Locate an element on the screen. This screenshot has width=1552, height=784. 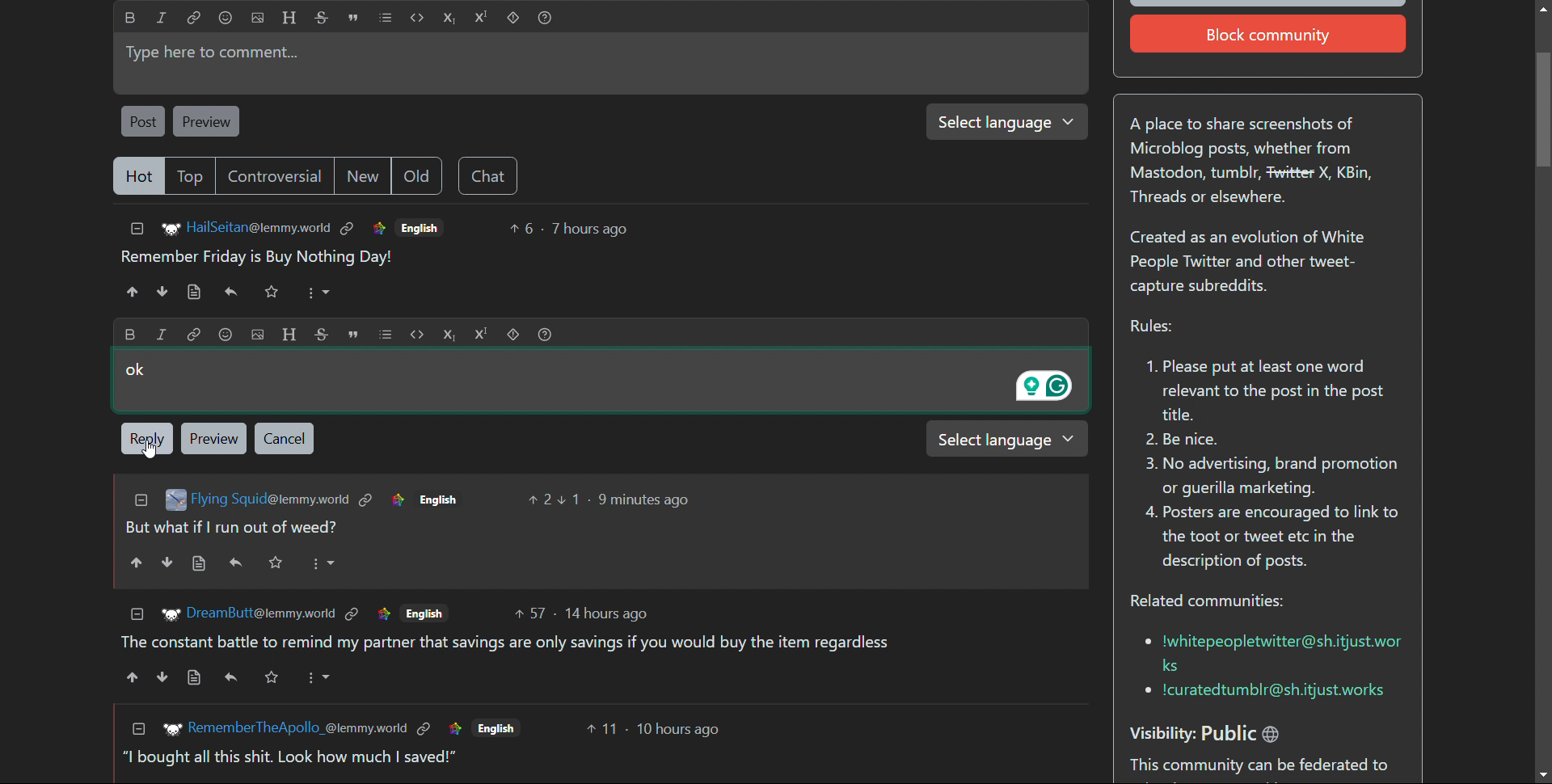
emoji is located at coordinates (229, 334).